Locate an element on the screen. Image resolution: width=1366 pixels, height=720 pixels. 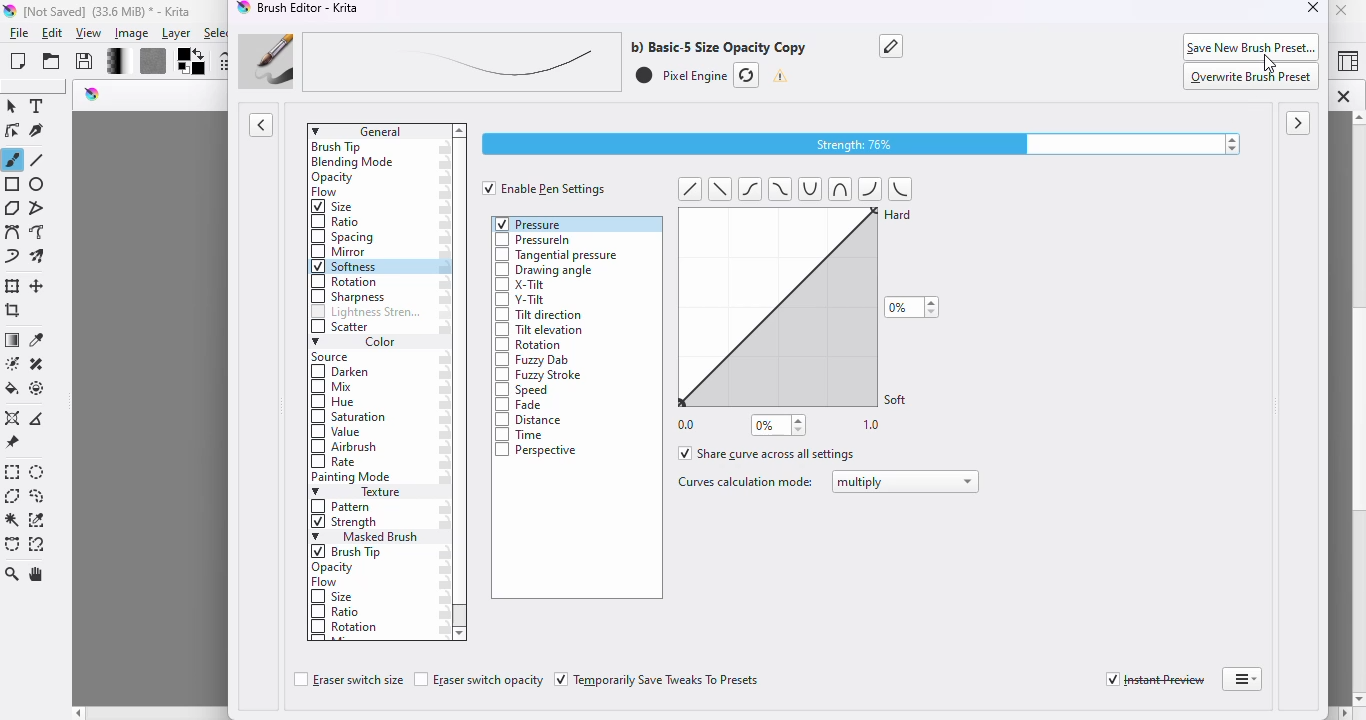
toggle showing scratchpad is located at coordinates (1299, 124).